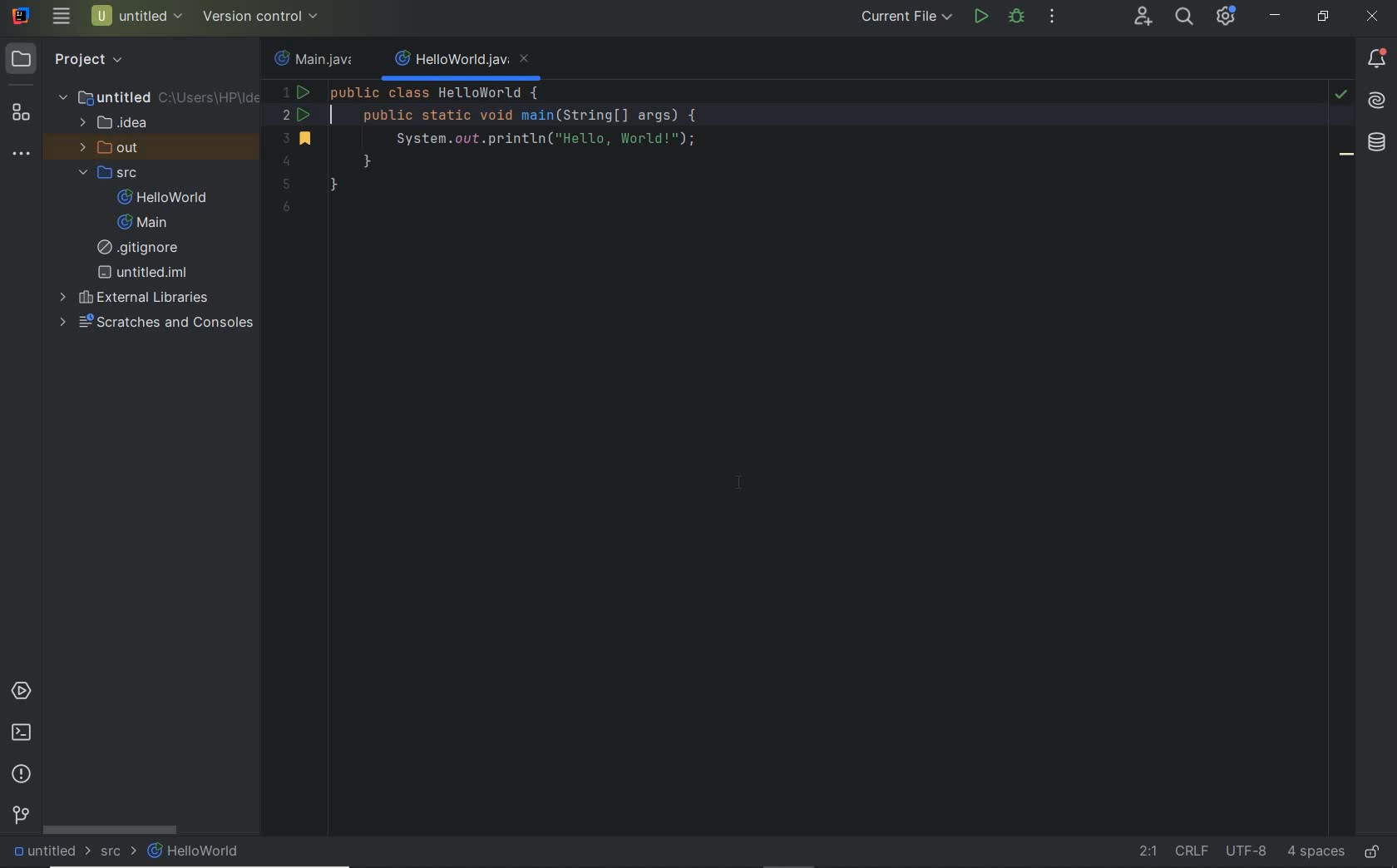  I want to click on fine encoding, so click(1246, 853).